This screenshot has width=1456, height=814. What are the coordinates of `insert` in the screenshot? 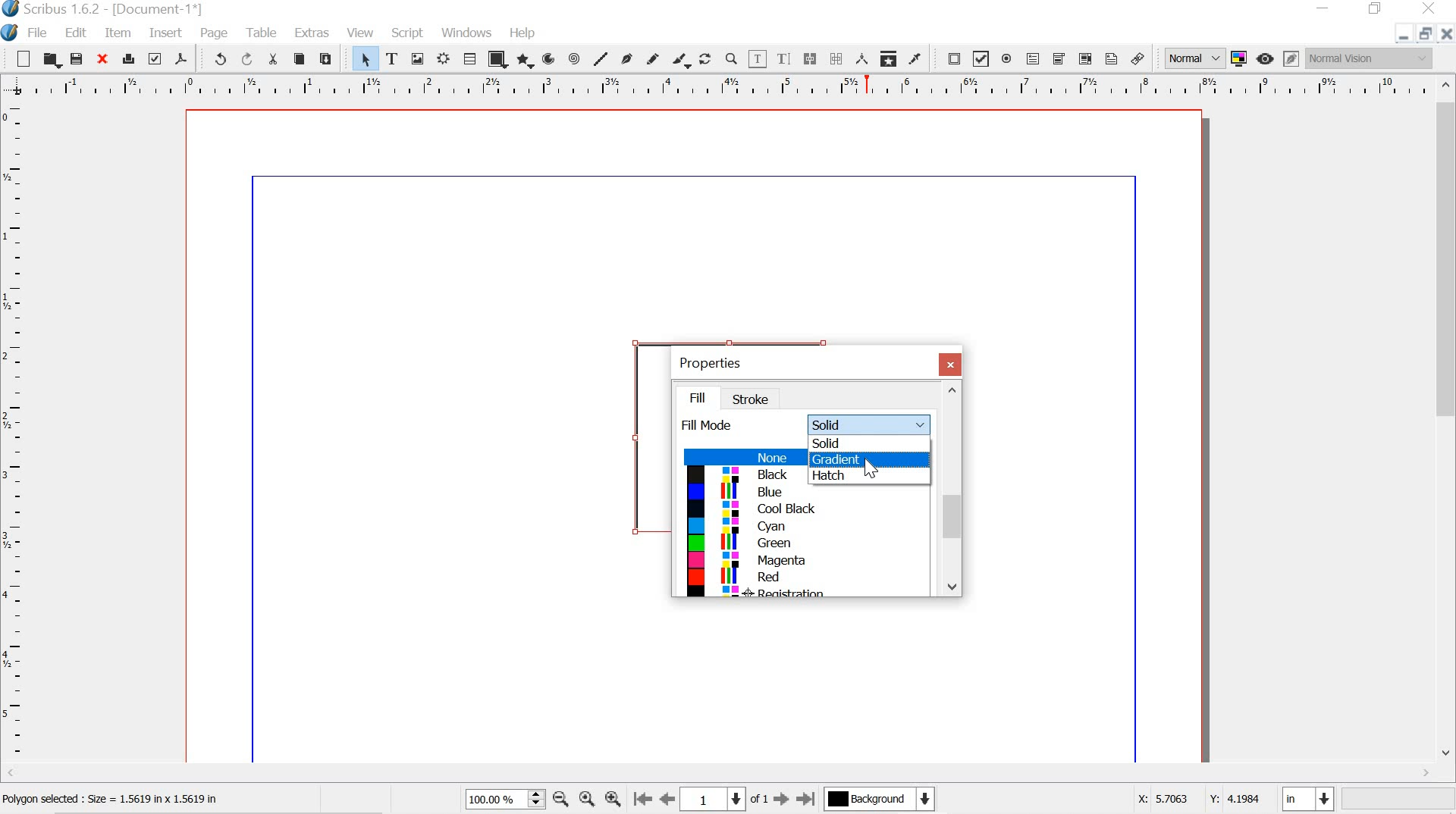 It's located at (164, 34).